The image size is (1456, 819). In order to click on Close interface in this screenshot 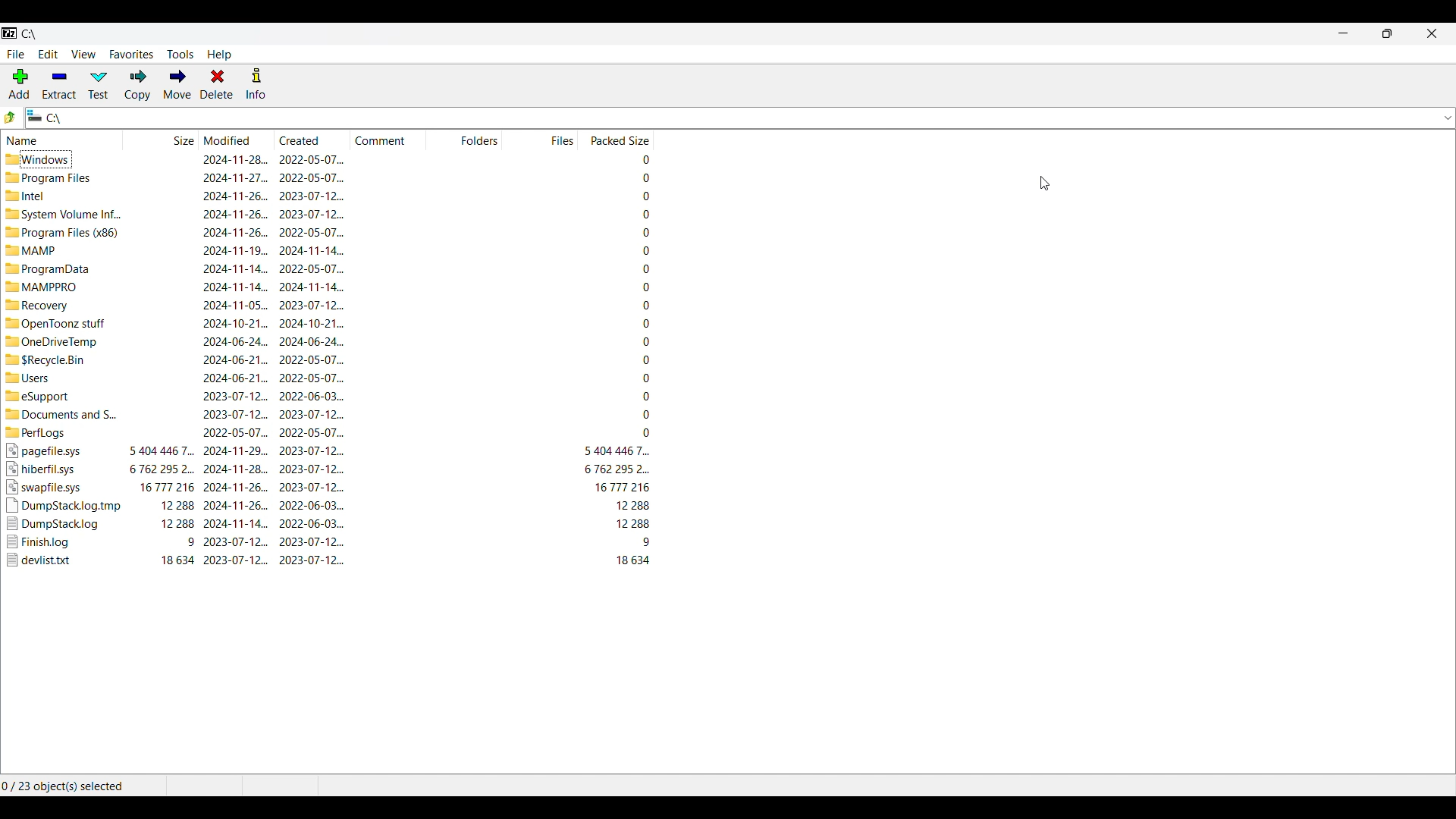, I will do `click(1432, 33)`.